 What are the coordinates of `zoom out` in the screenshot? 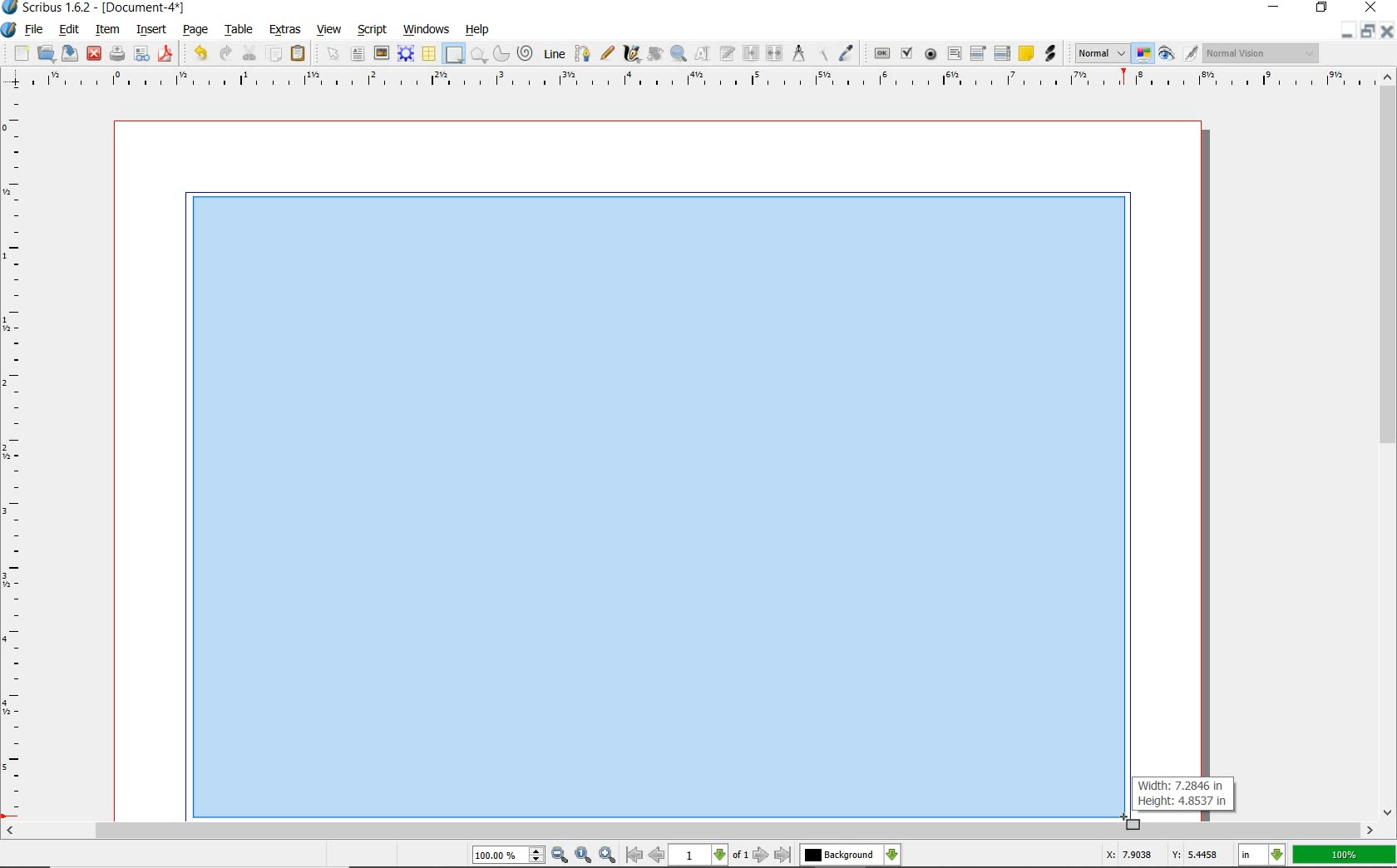 It's located at (560, 856).